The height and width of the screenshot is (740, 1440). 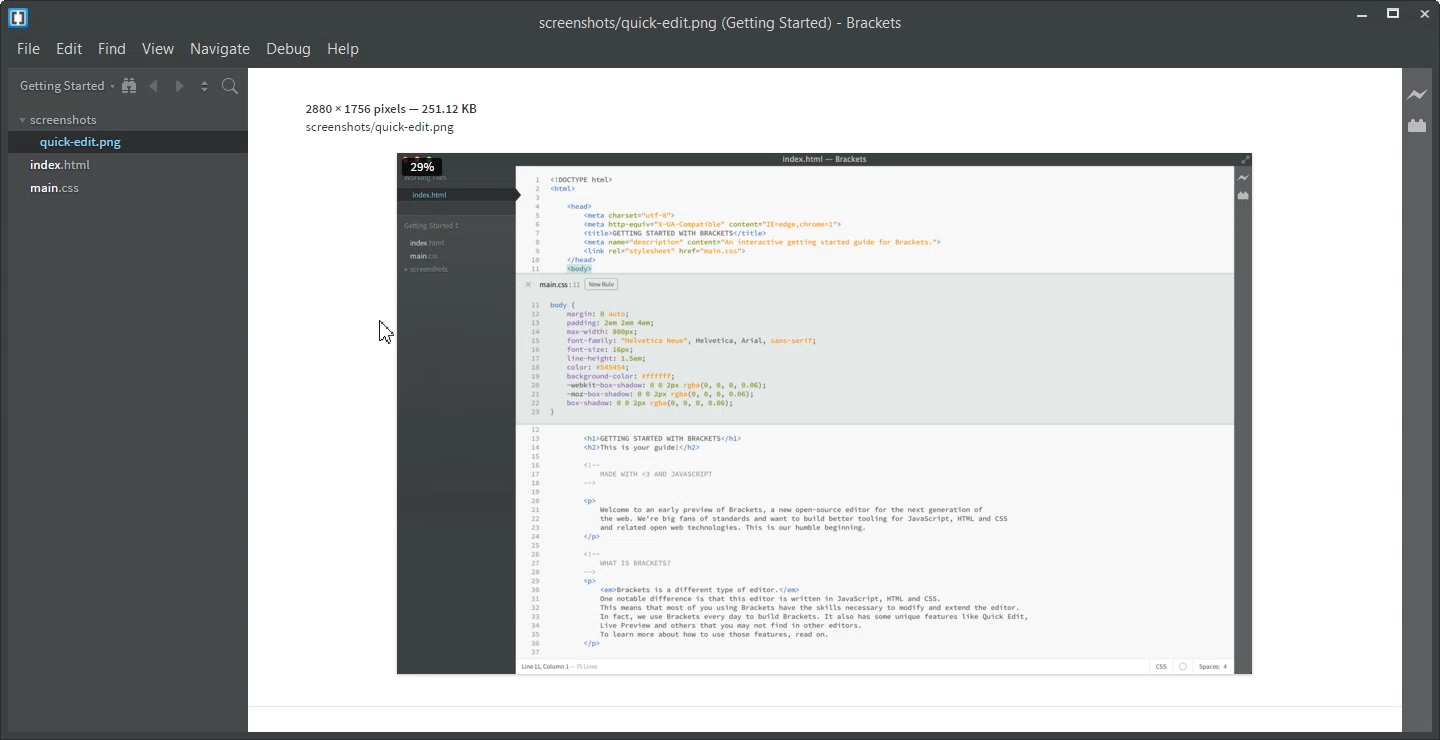 I want to click on Debug, so click(x=289, y=50).